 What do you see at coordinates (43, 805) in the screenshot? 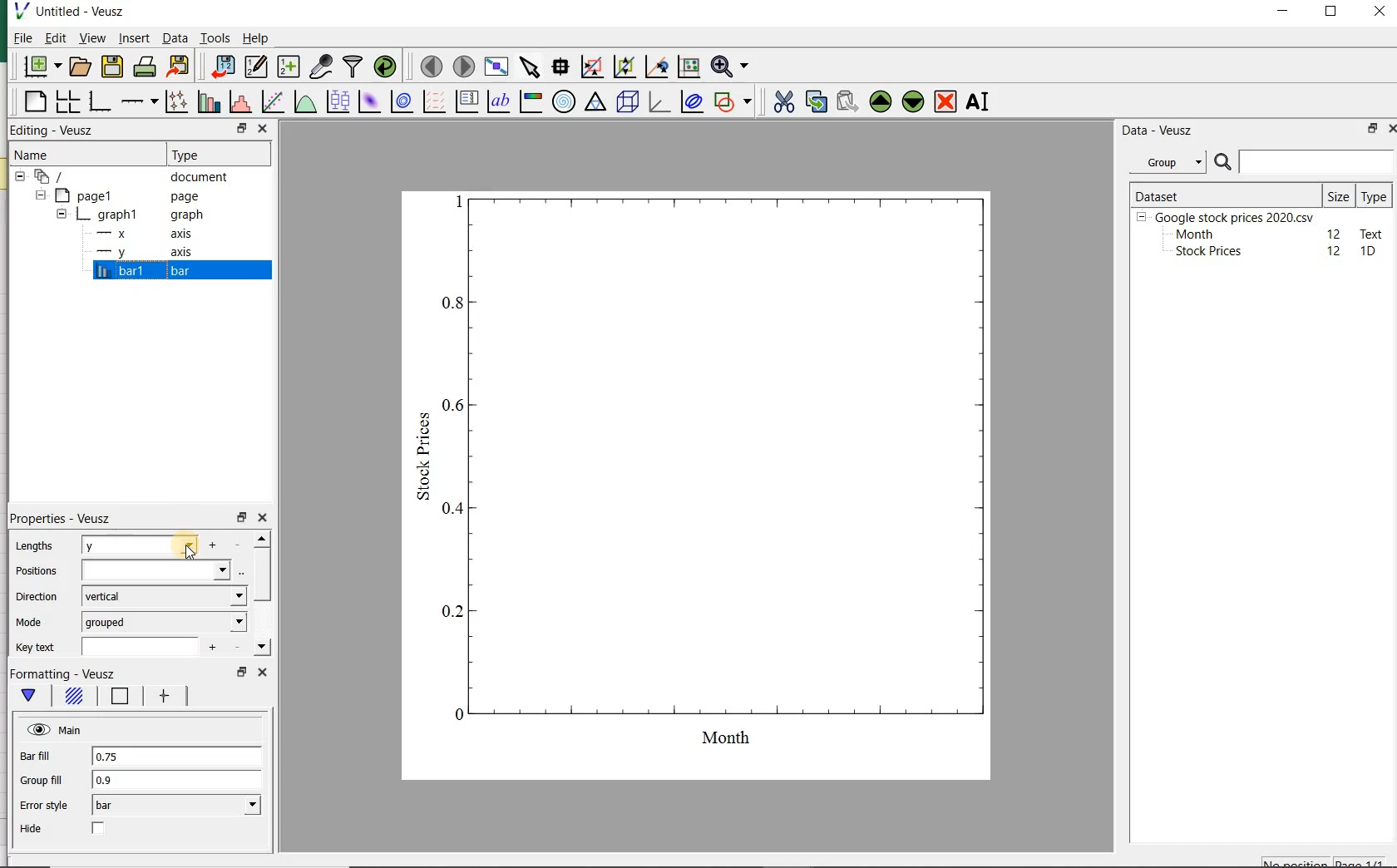
I see `Error style` at bounding box center [43, 805].